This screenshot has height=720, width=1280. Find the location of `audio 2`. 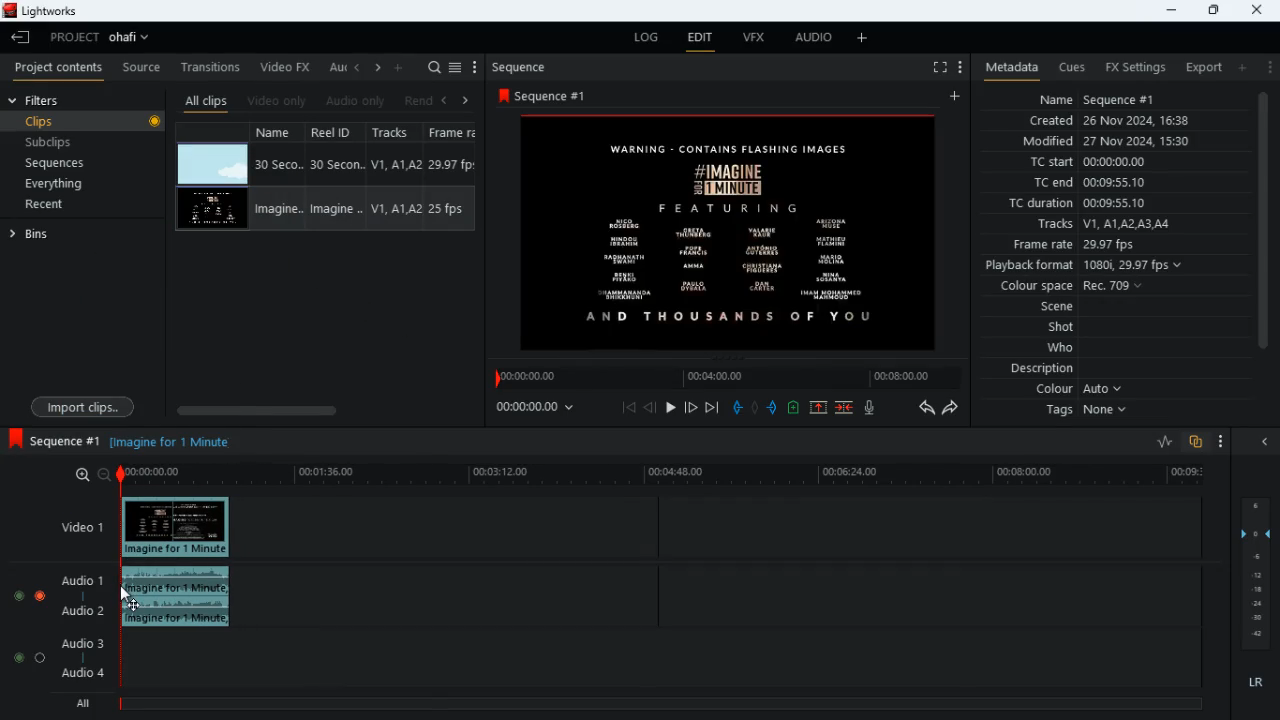

audio 2 is located at coordinates (78, 613).